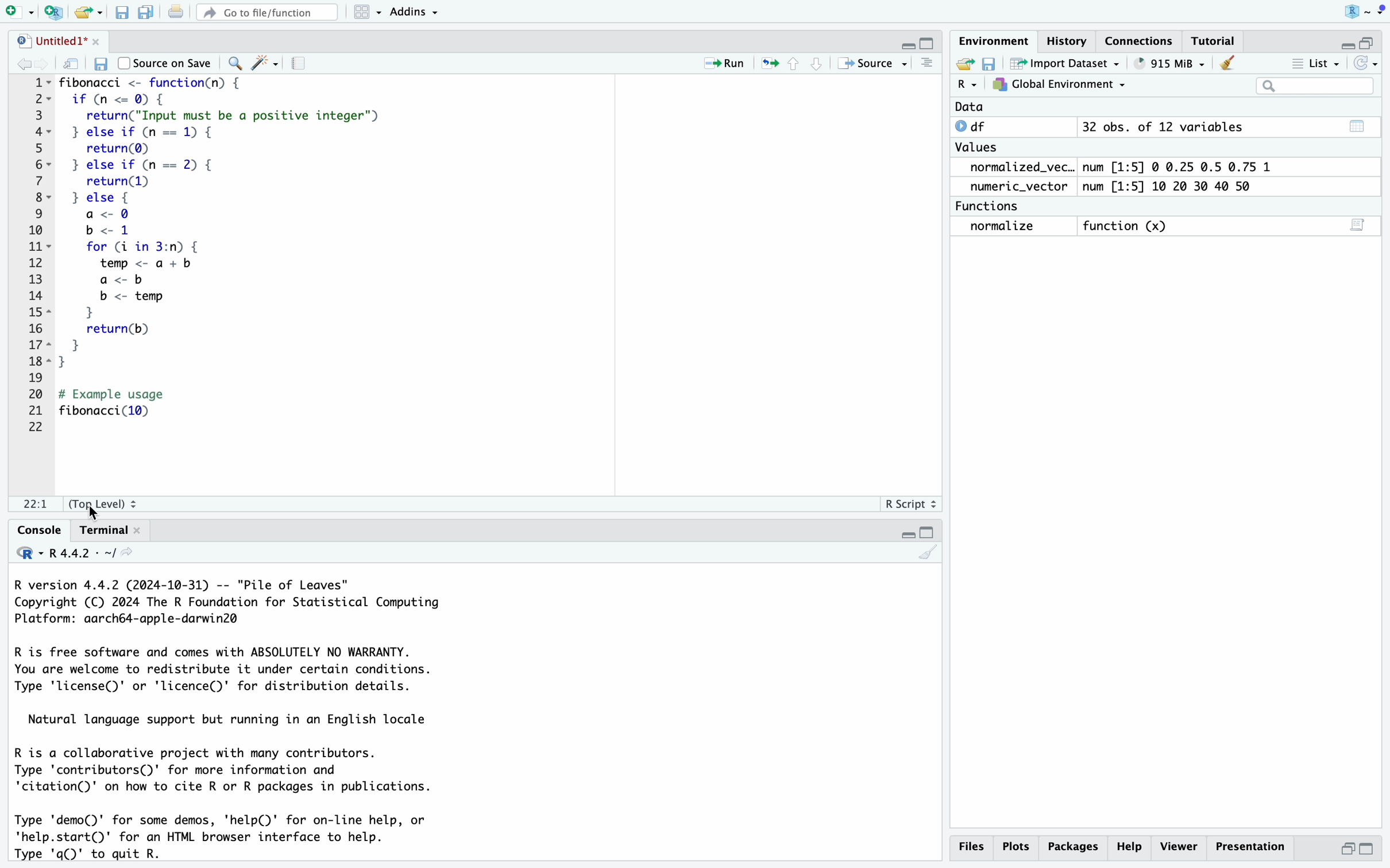  Describe the element at coordinates (1359, 223) in the screenshot. I see `script editor` at that location.